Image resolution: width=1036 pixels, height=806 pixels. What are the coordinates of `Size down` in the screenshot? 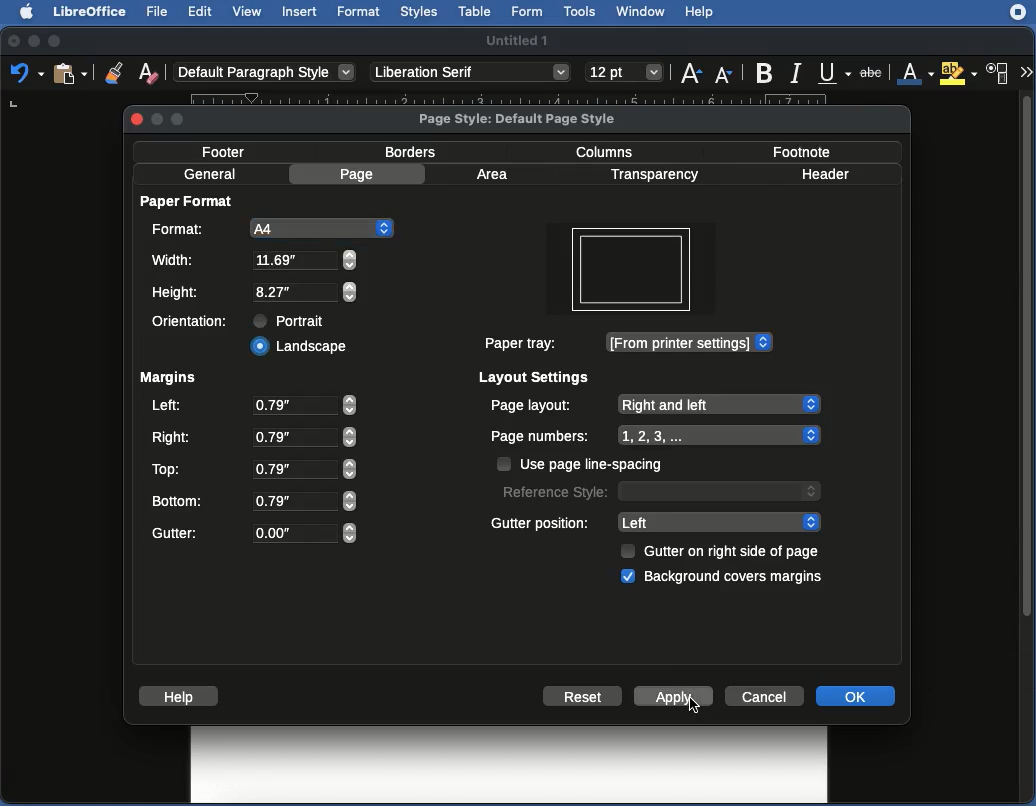 It's located at (725, 73).